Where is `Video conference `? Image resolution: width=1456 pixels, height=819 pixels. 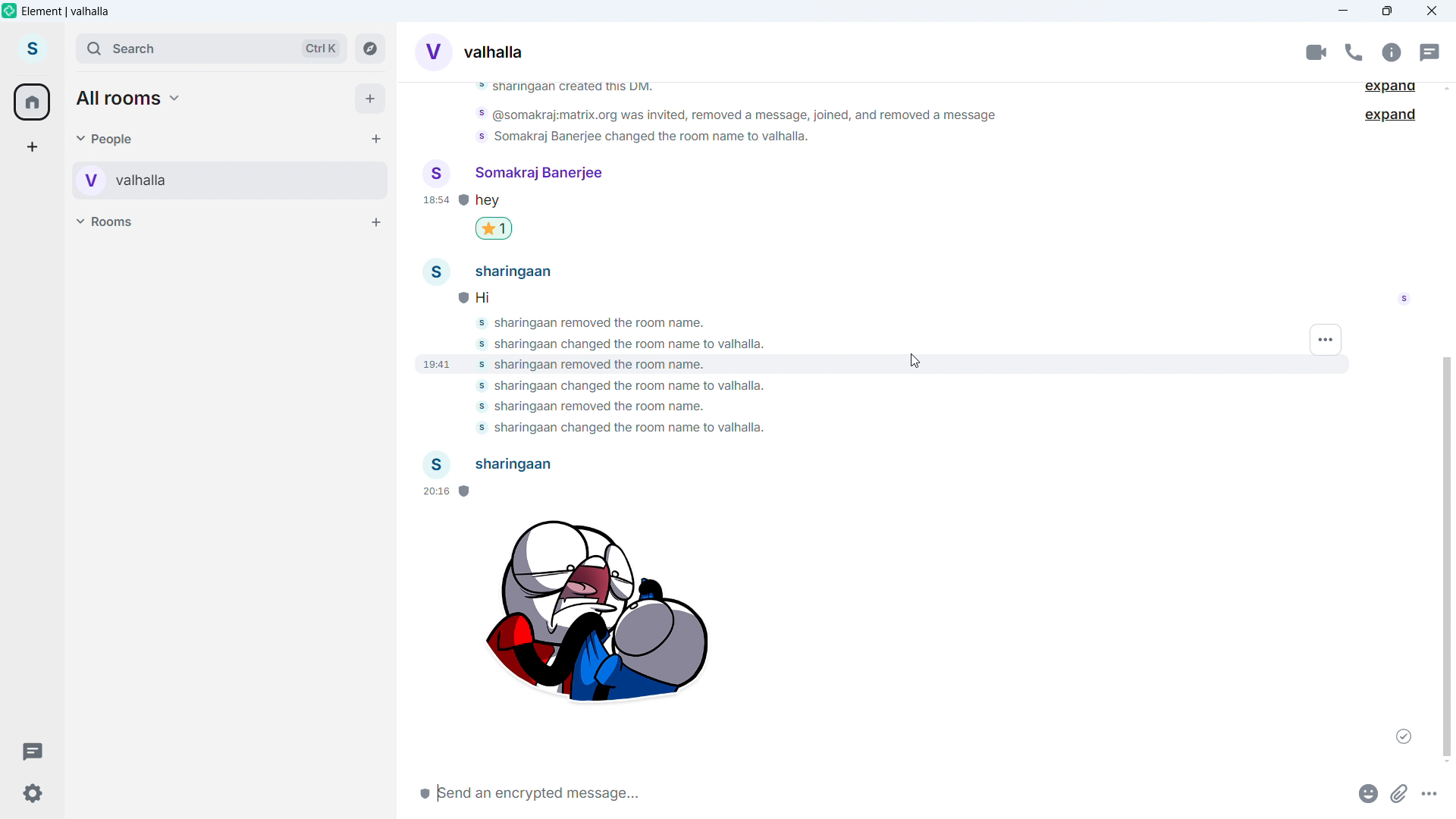 Video conference  is located at coordinates (1316, 52).